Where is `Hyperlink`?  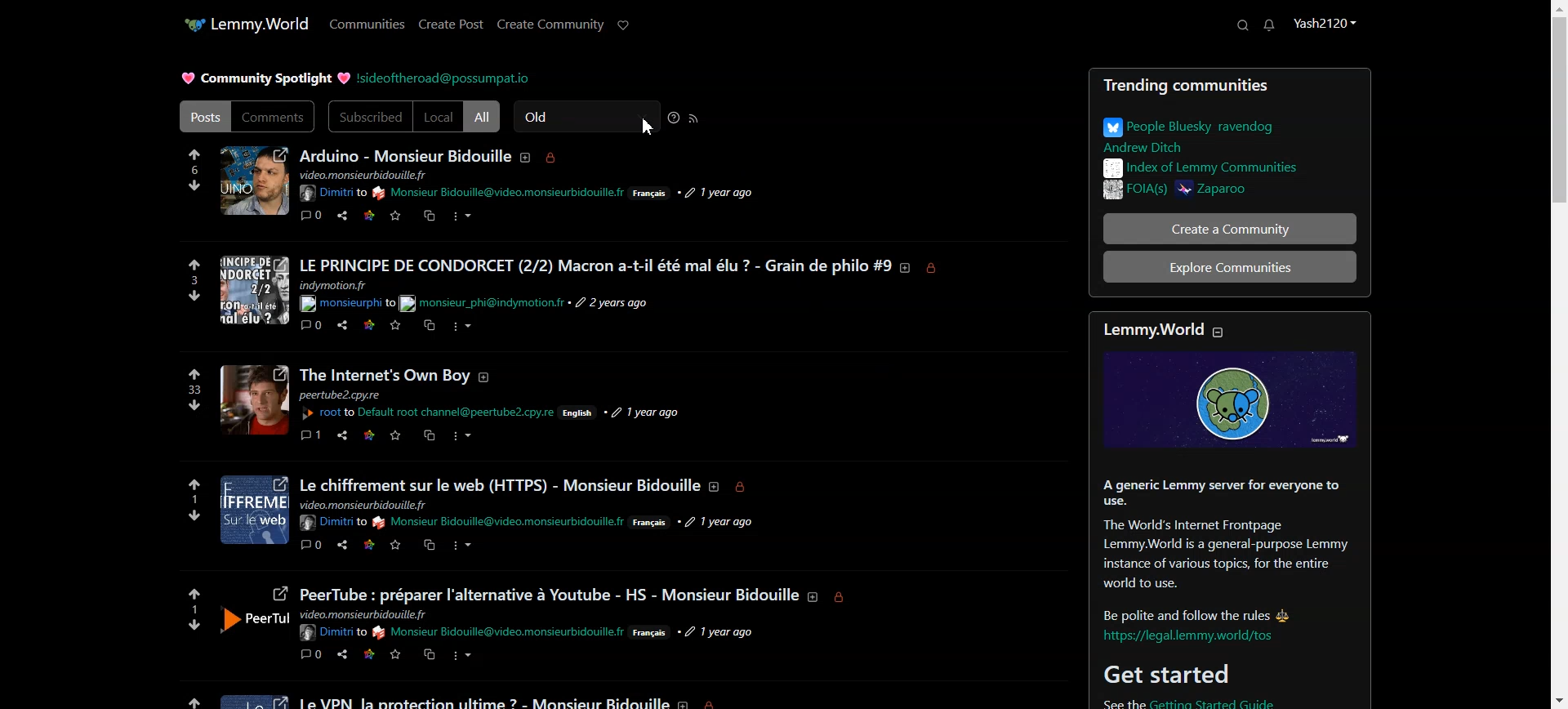
Hyperlink is located at coordinates (443, 78).